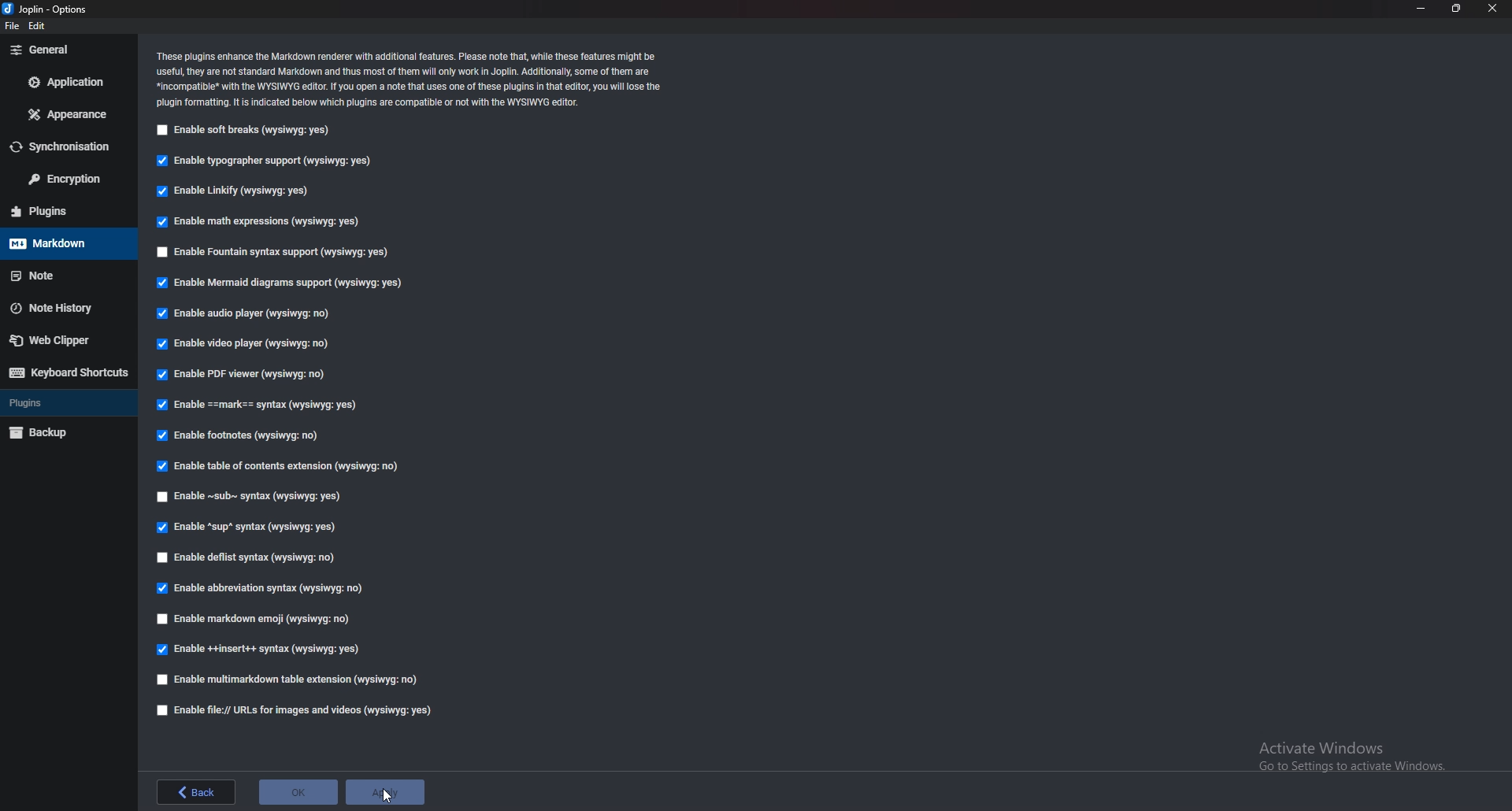  Describe the element at coordinates (70, 178) in the screenshot. I see `encryption` at that location.